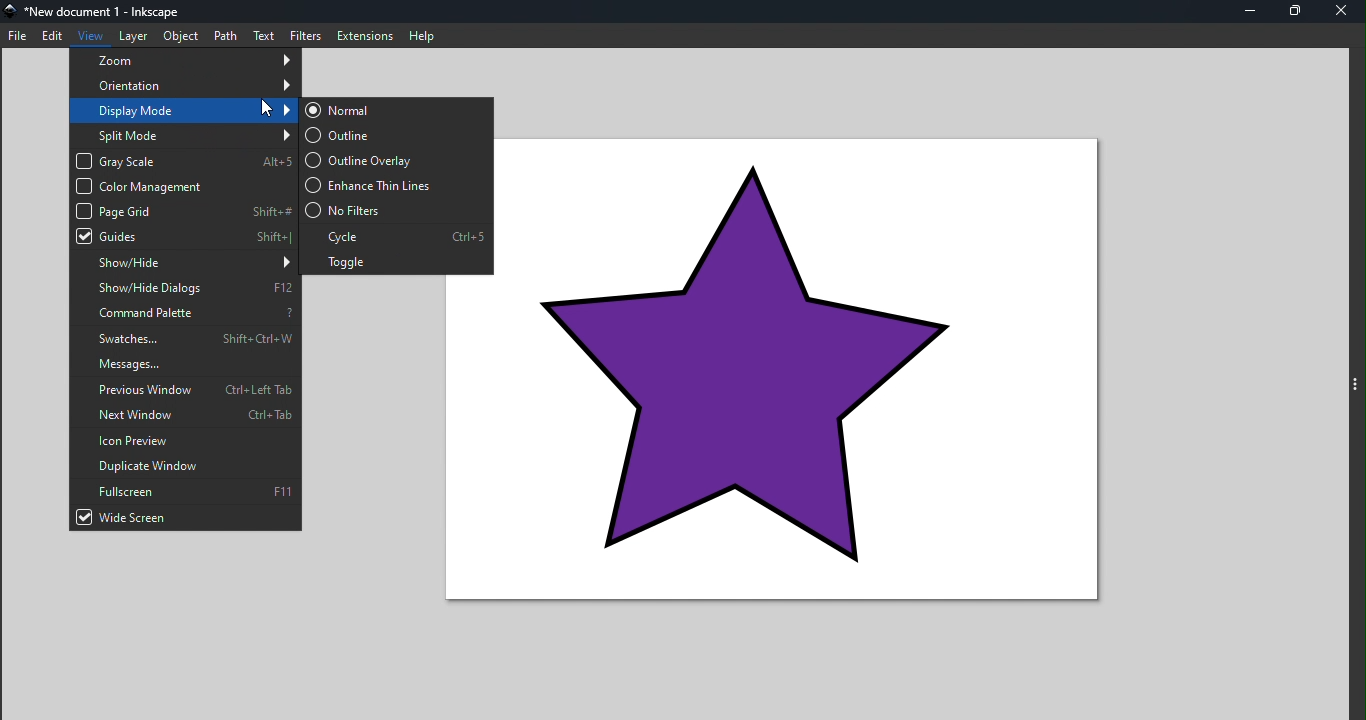 The image size is (1366, 720). What do you see at coordinates (396, 110) in the screenshot?
I see `Normal` at bounding box center [396, 110].